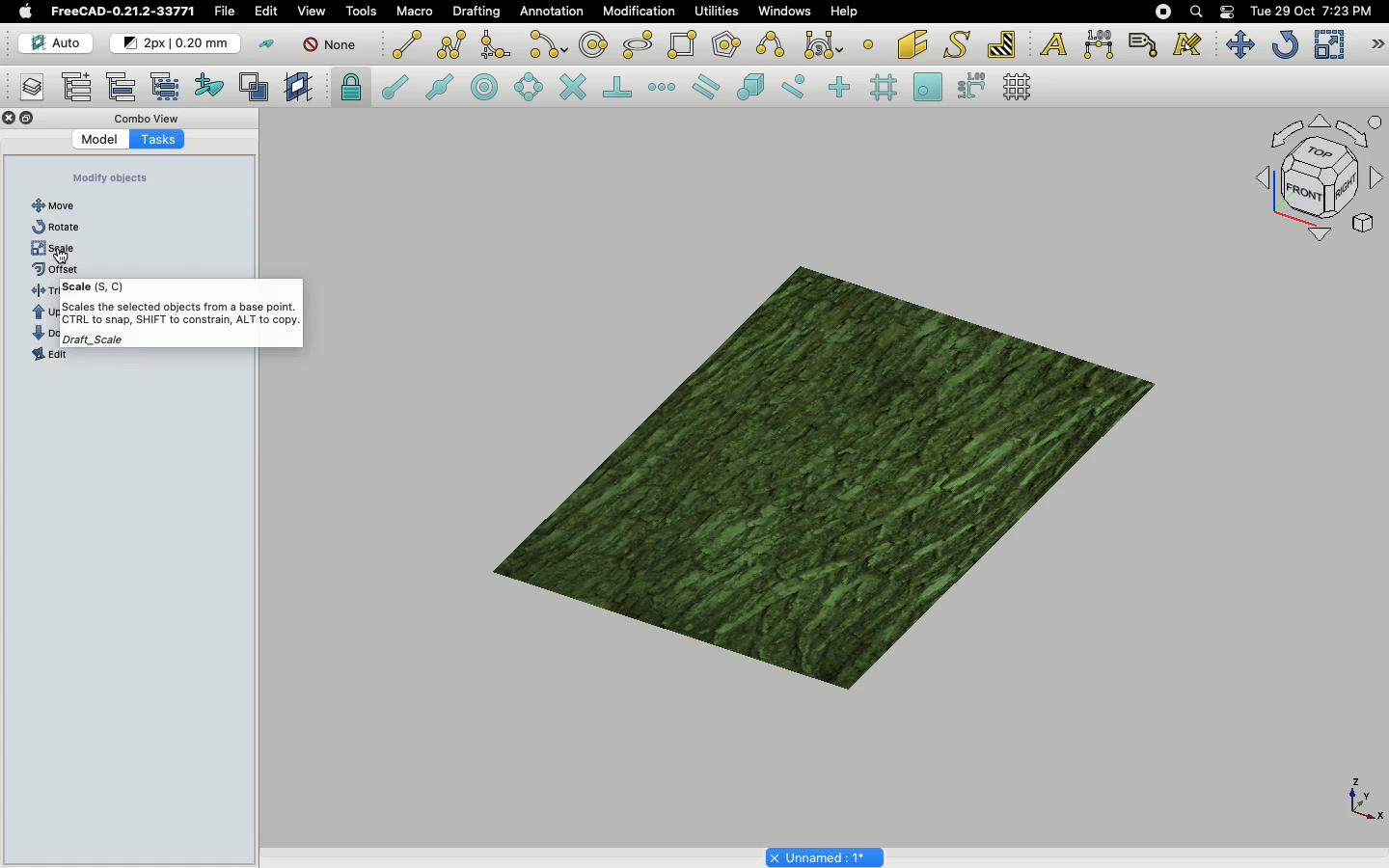 The image size is (1389, 868). What do you see at coordinates (1377, 44) in the screenshot?
I see `Draft modification tools` at bounding box center [1377, 44].